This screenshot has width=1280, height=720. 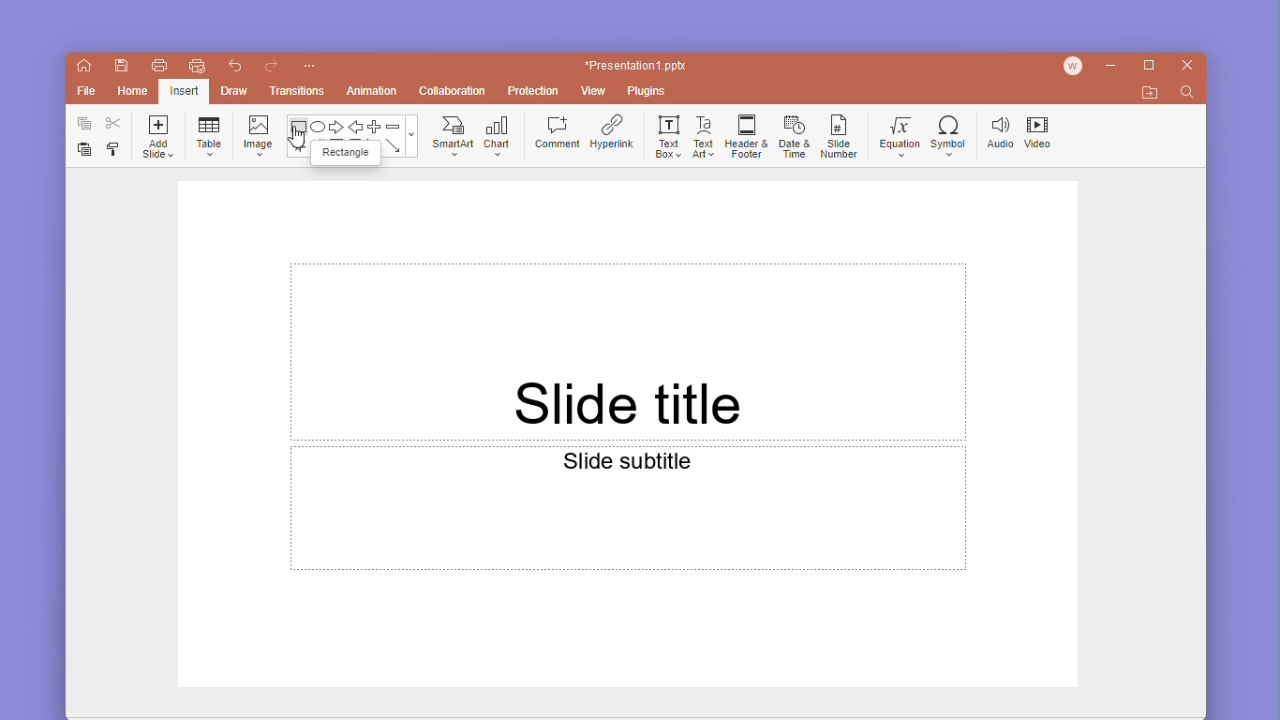 I want to click on symbol, so click(x=949, y=130).